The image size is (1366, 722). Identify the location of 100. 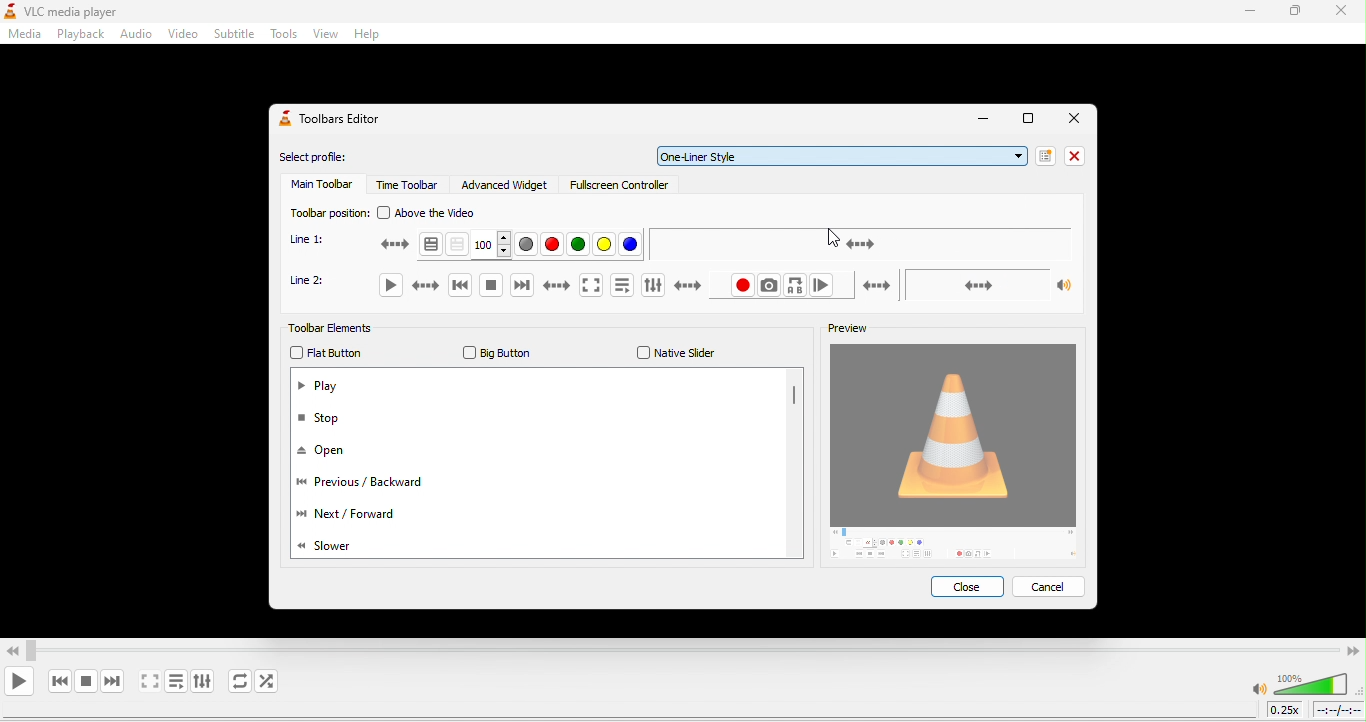
(491, 244).